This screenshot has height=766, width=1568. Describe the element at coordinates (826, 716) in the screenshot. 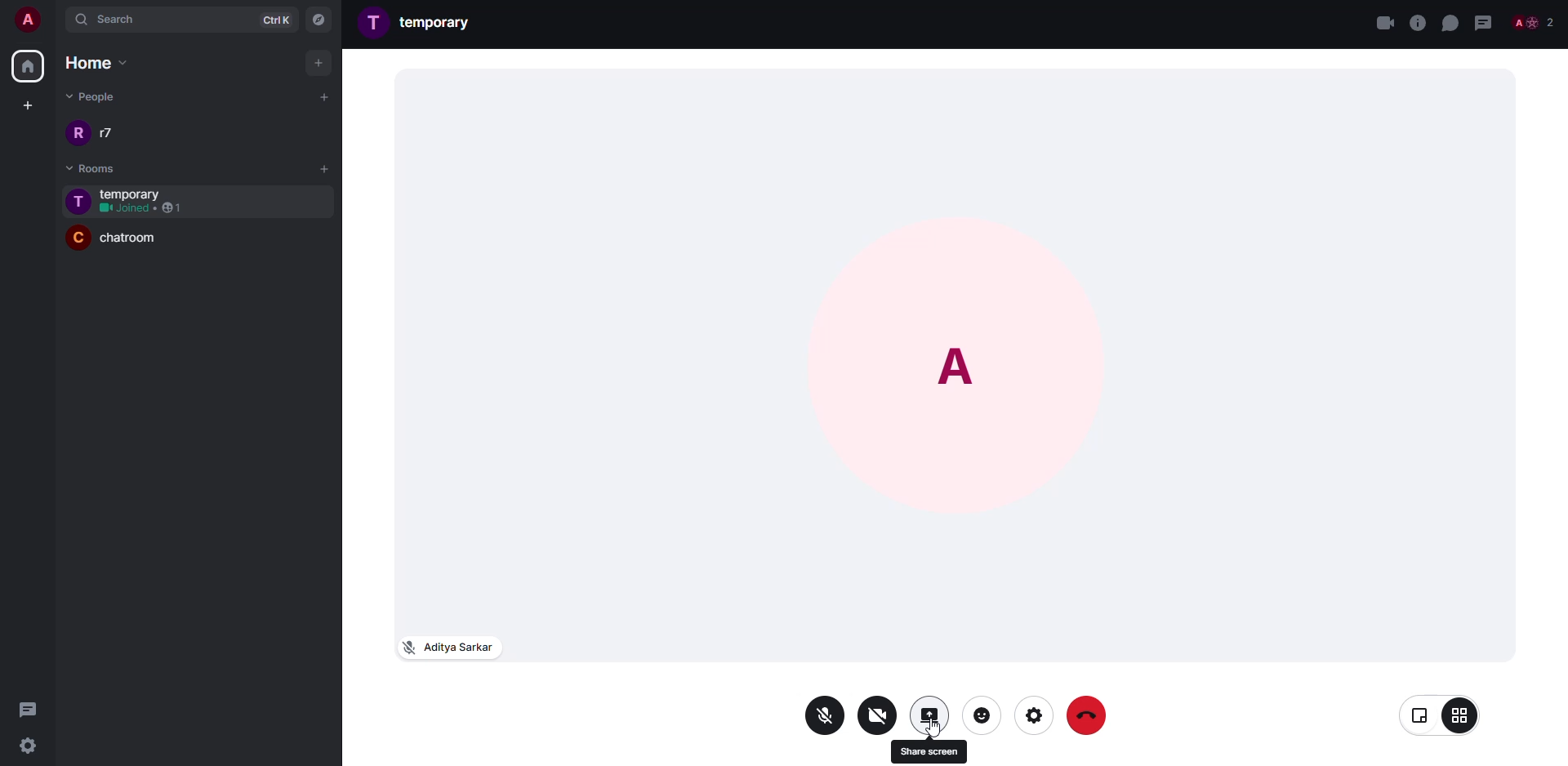

I see `mic off` at that location.